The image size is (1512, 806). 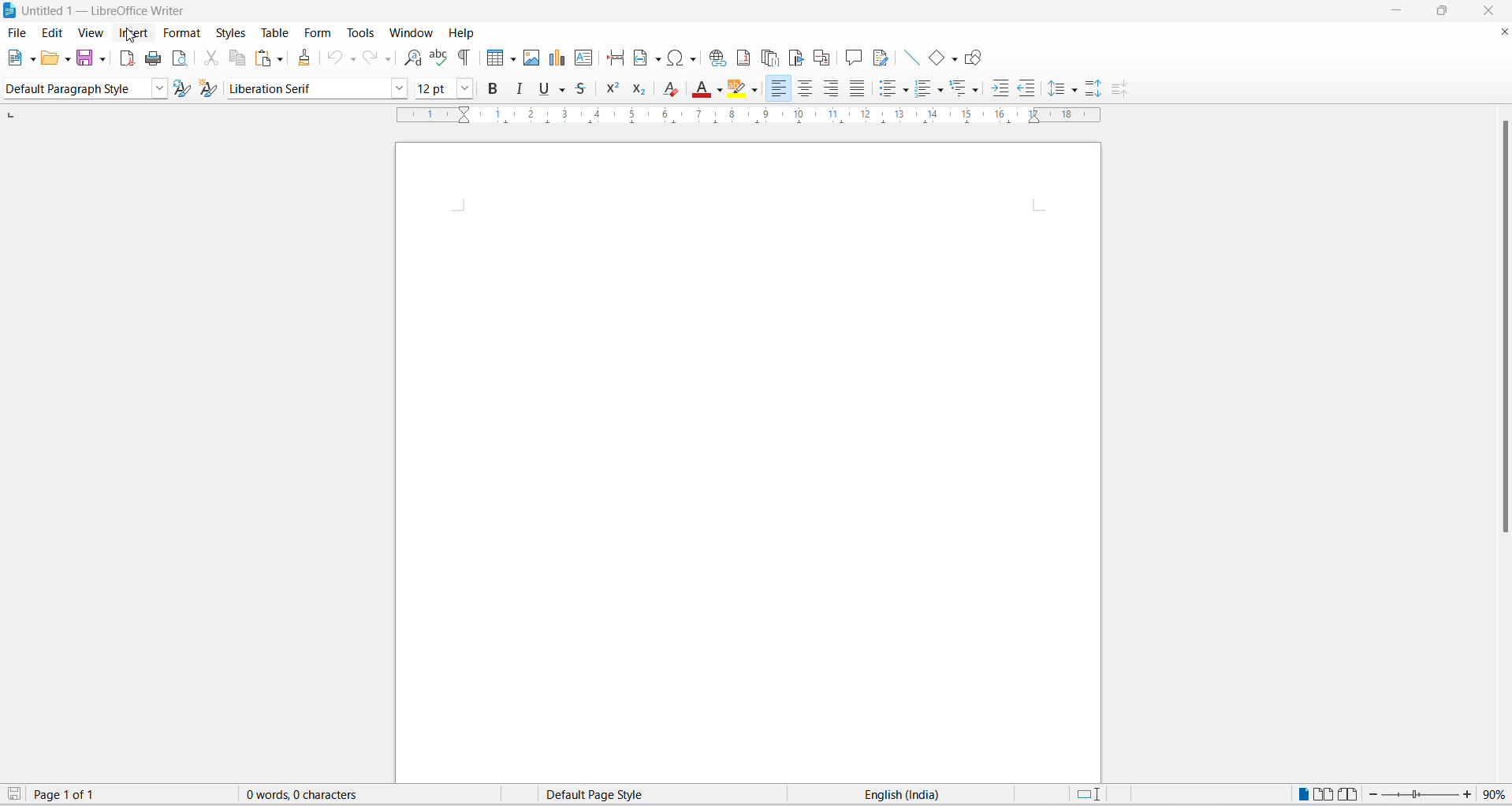 What do you see at coordinates (15, 795) in the screenshot?
I see `save` at bounding box center [15, 795].